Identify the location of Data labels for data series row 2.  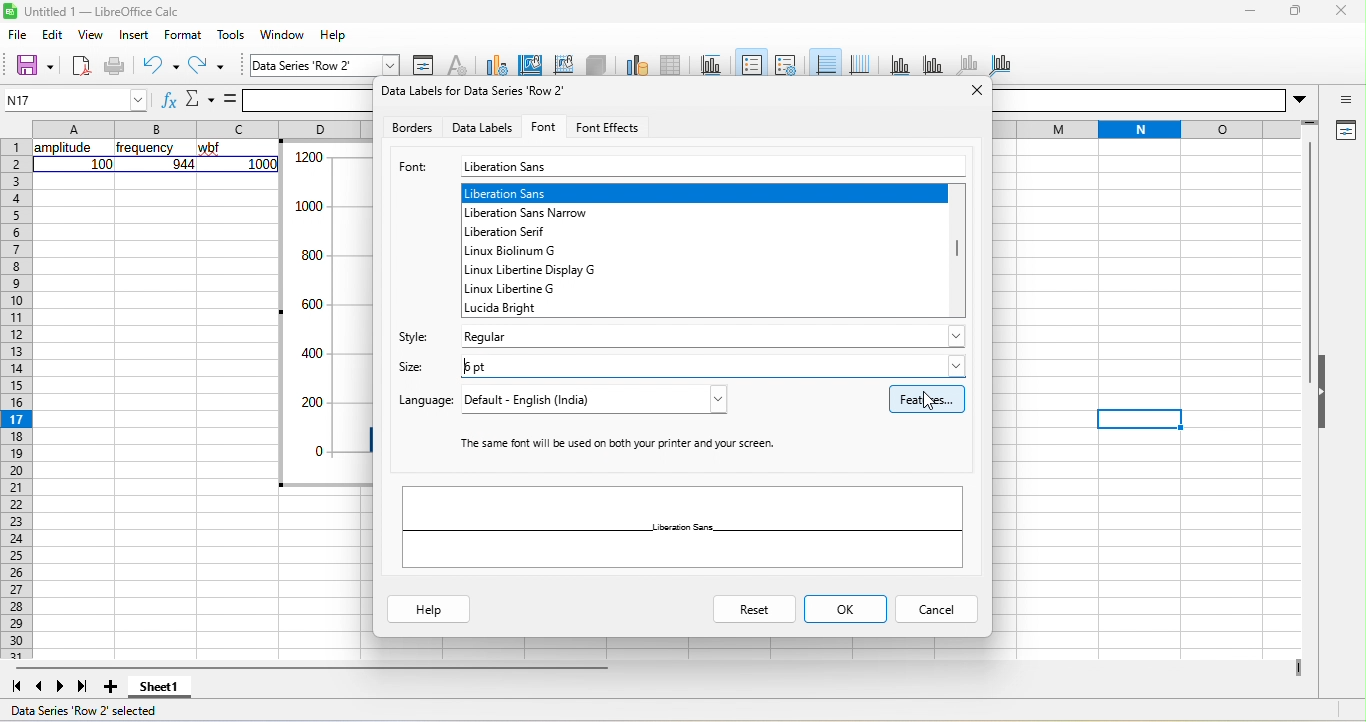
(483, 90).